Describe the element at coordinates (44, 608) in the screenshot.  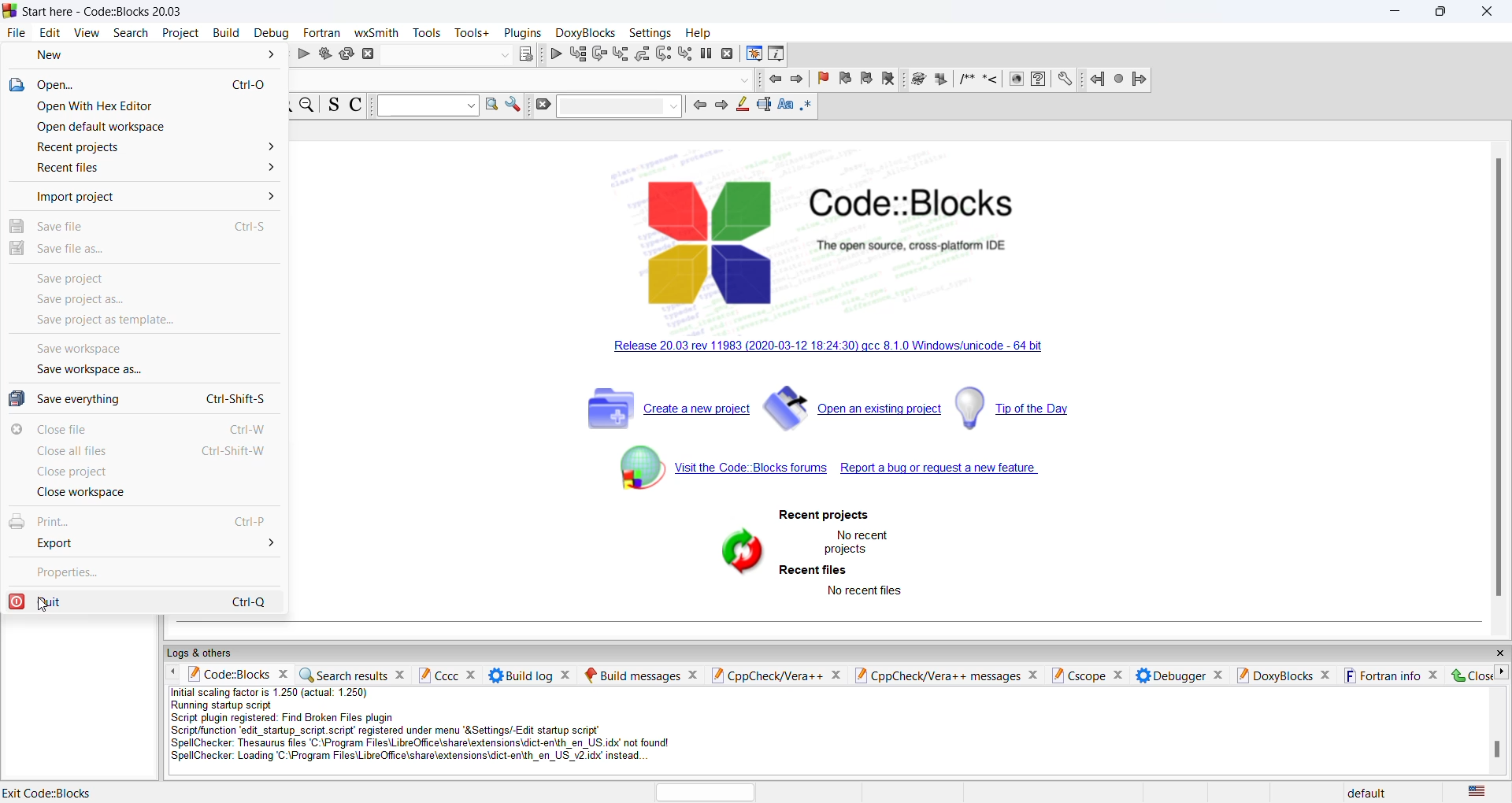
I see `cursor` at that location.